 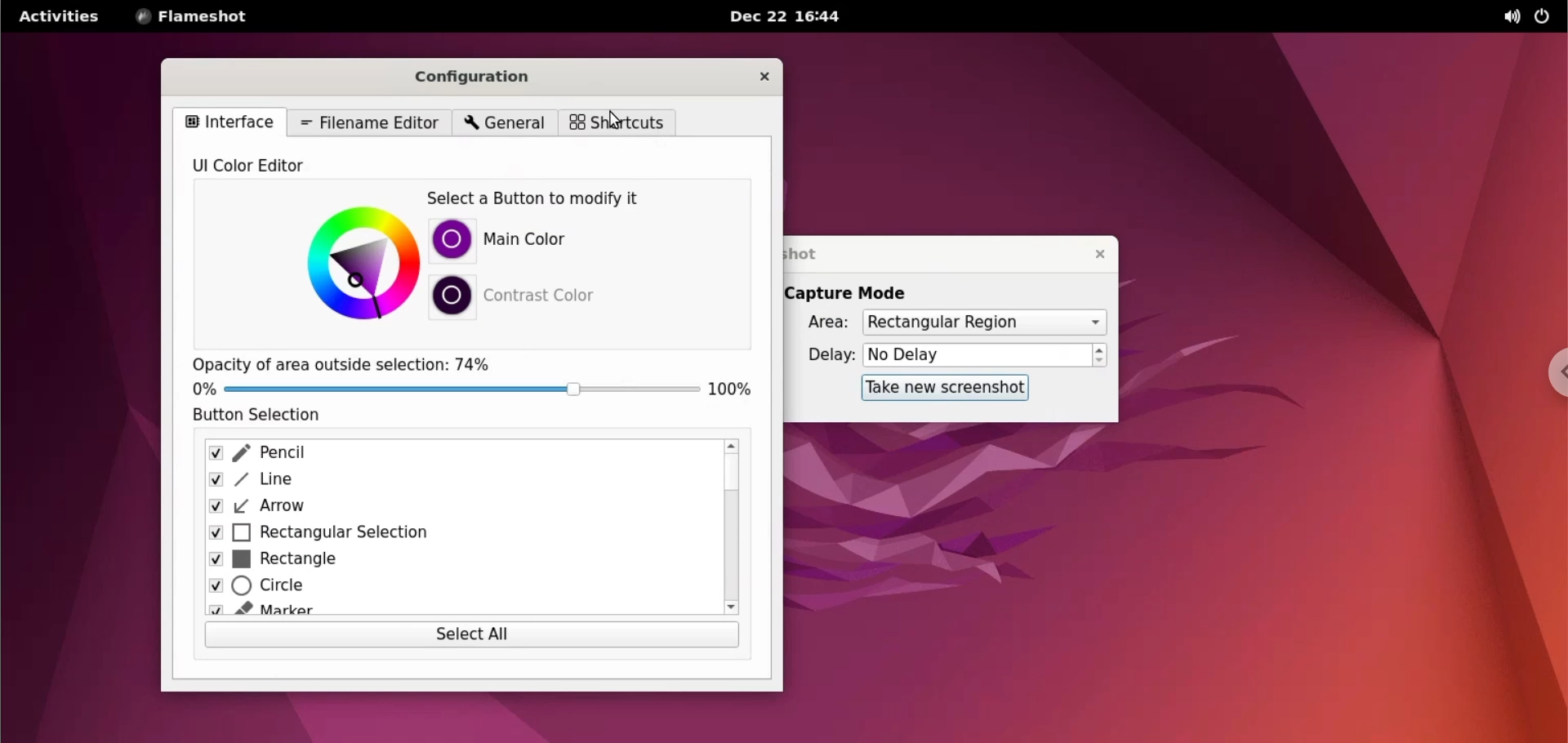 I want to click on chrome options, so click(x=1548, y=372).